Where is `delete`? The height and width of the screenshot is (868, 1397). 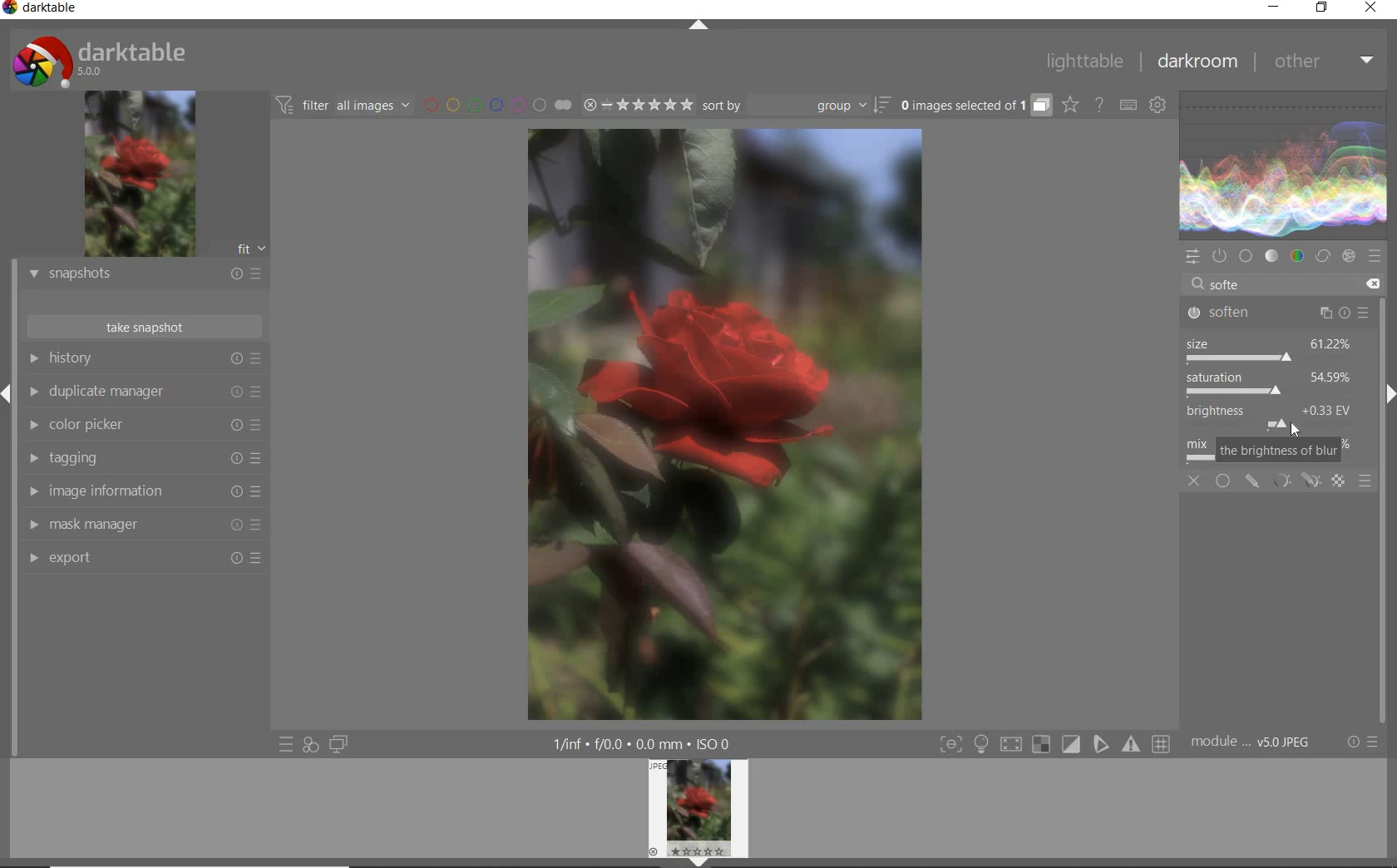 delete is located at coordinates (1374, 284).